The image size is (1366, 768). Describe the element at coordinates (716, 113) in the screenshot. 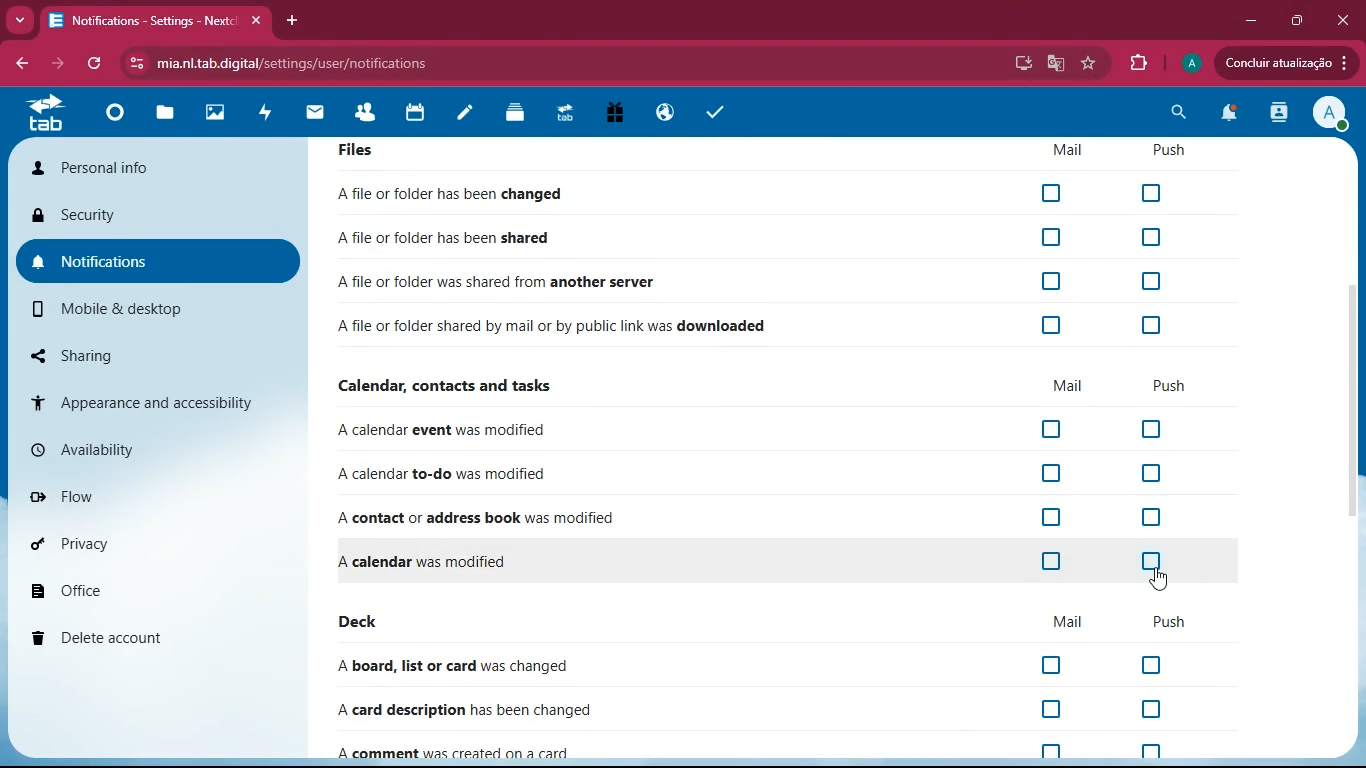

I see `task` at that location.